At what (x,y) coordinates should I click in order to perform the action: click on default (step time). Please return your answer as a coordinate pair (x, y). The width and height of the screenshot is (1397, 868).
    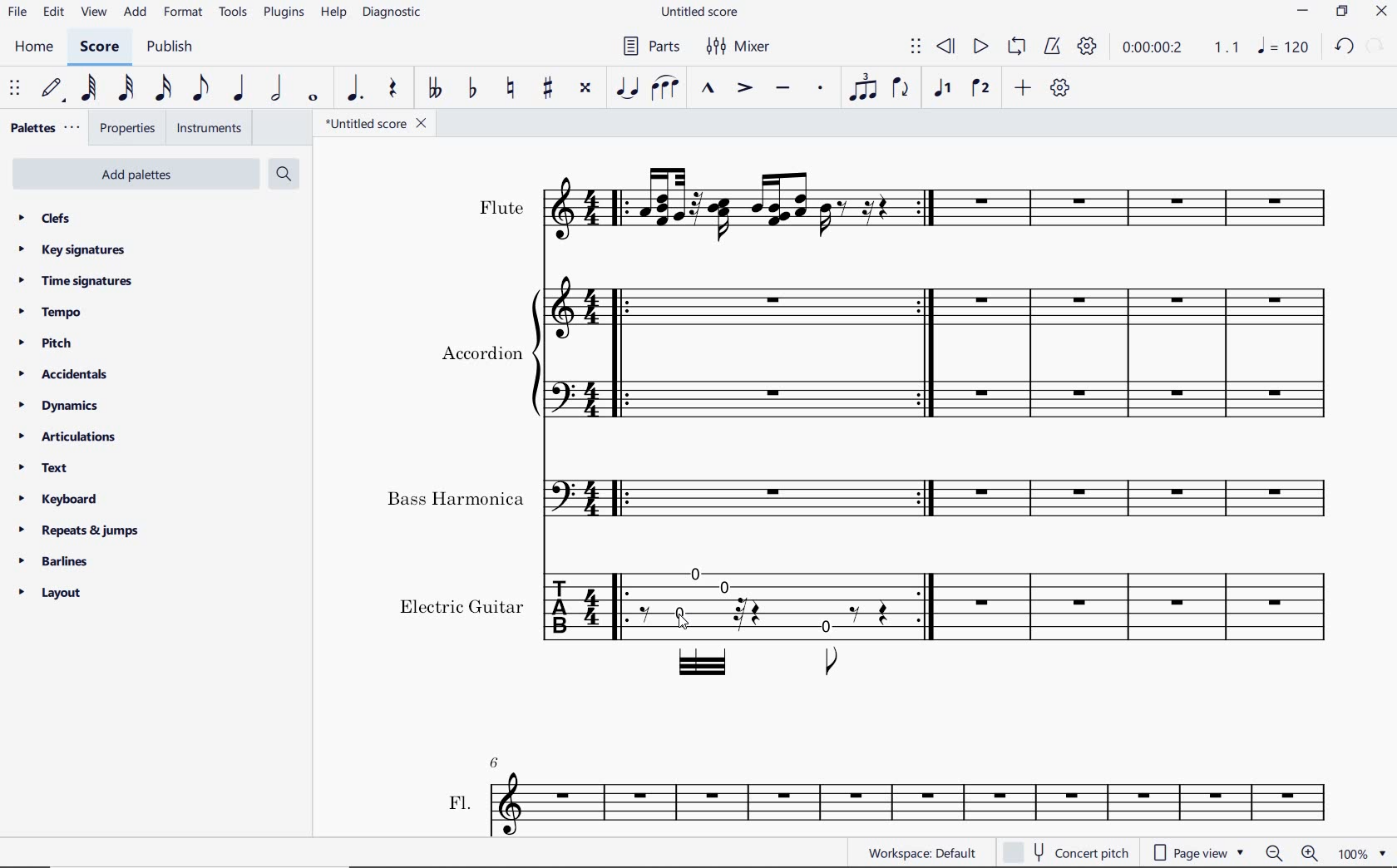
    Looking at the image, I should click on (52, 90).